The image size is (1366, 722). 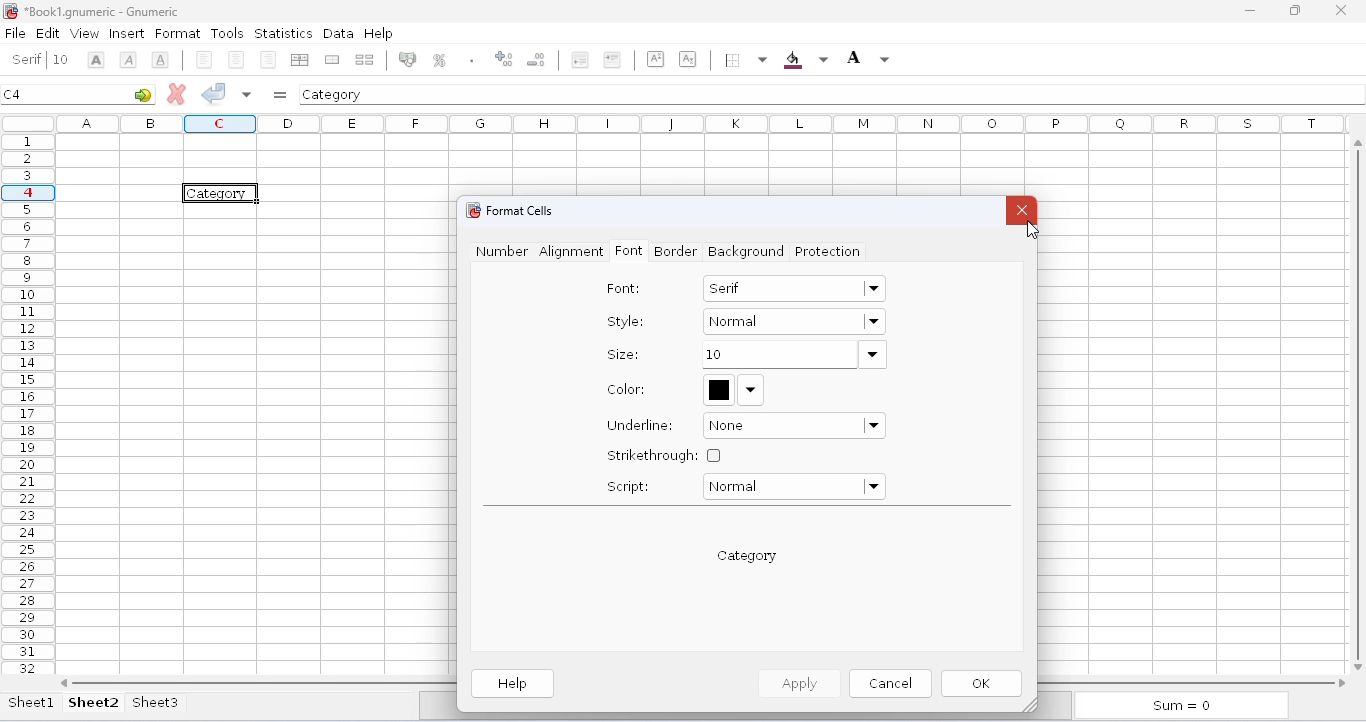 What do you see at coordinates (498, 252) in the screenshot?
I see `Number` at bounding box center [498, 252].